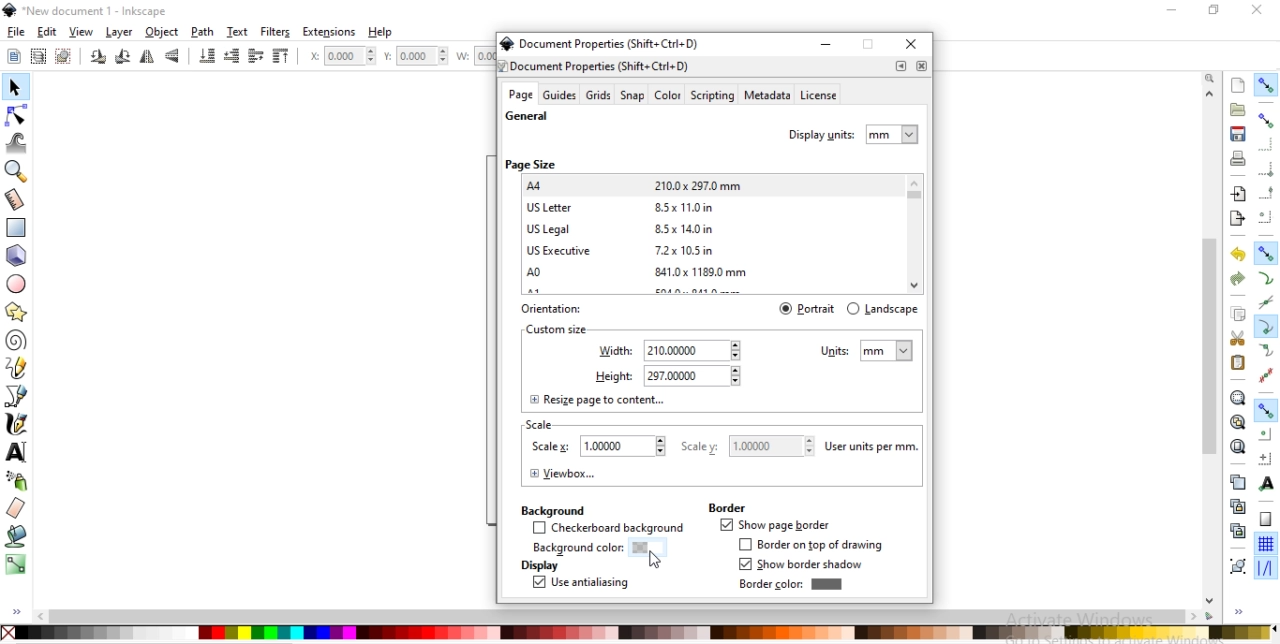 This screenshot has width=1280, height=644. What do you see at coordinates (17, 451) in the screenshot?
I see `create or edit text objects` at bounding box center [17, 451].